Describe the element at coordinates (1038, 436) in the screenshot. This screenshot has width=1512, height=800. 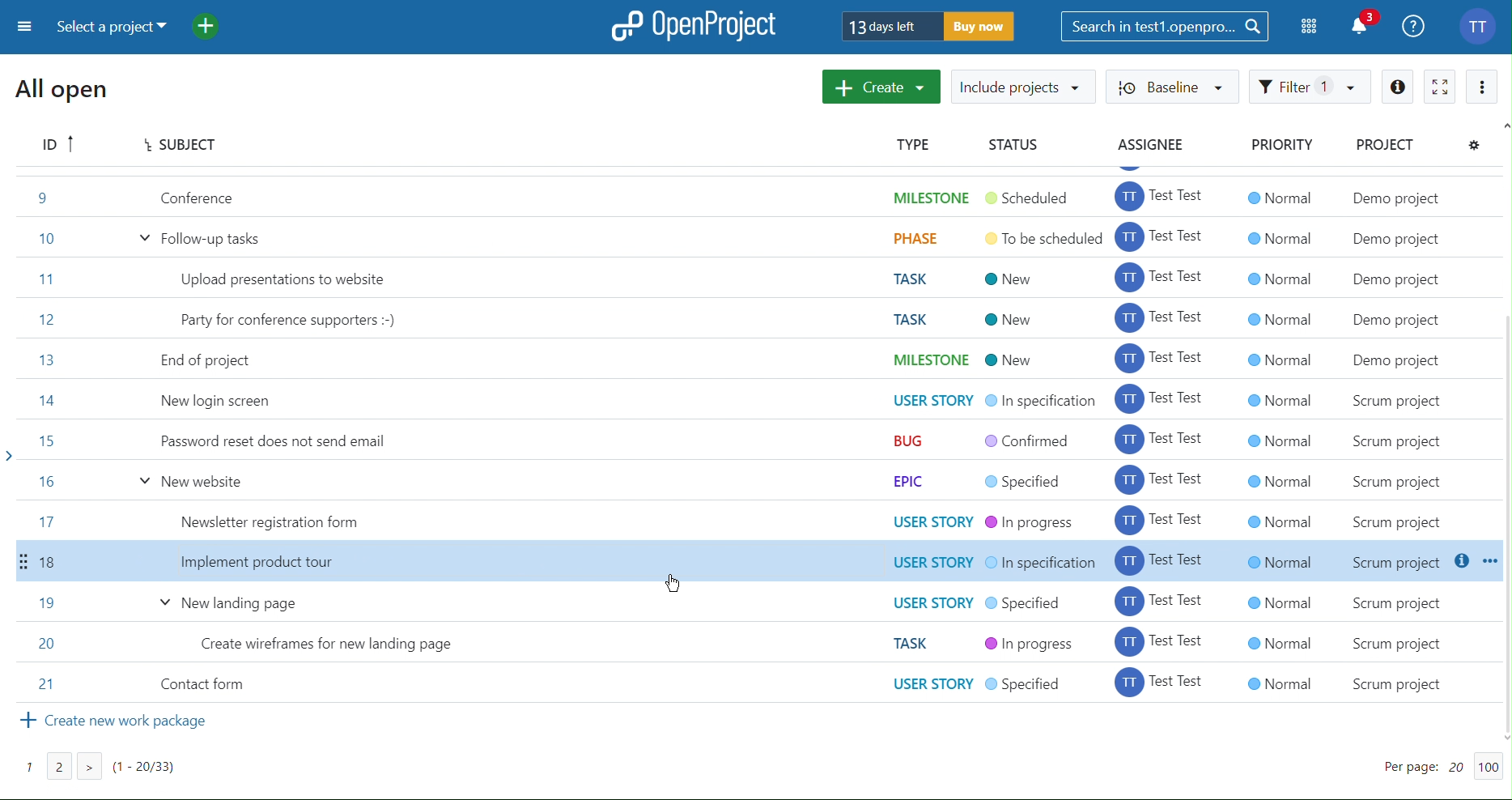
I see `Status of Work Packages` at that location.